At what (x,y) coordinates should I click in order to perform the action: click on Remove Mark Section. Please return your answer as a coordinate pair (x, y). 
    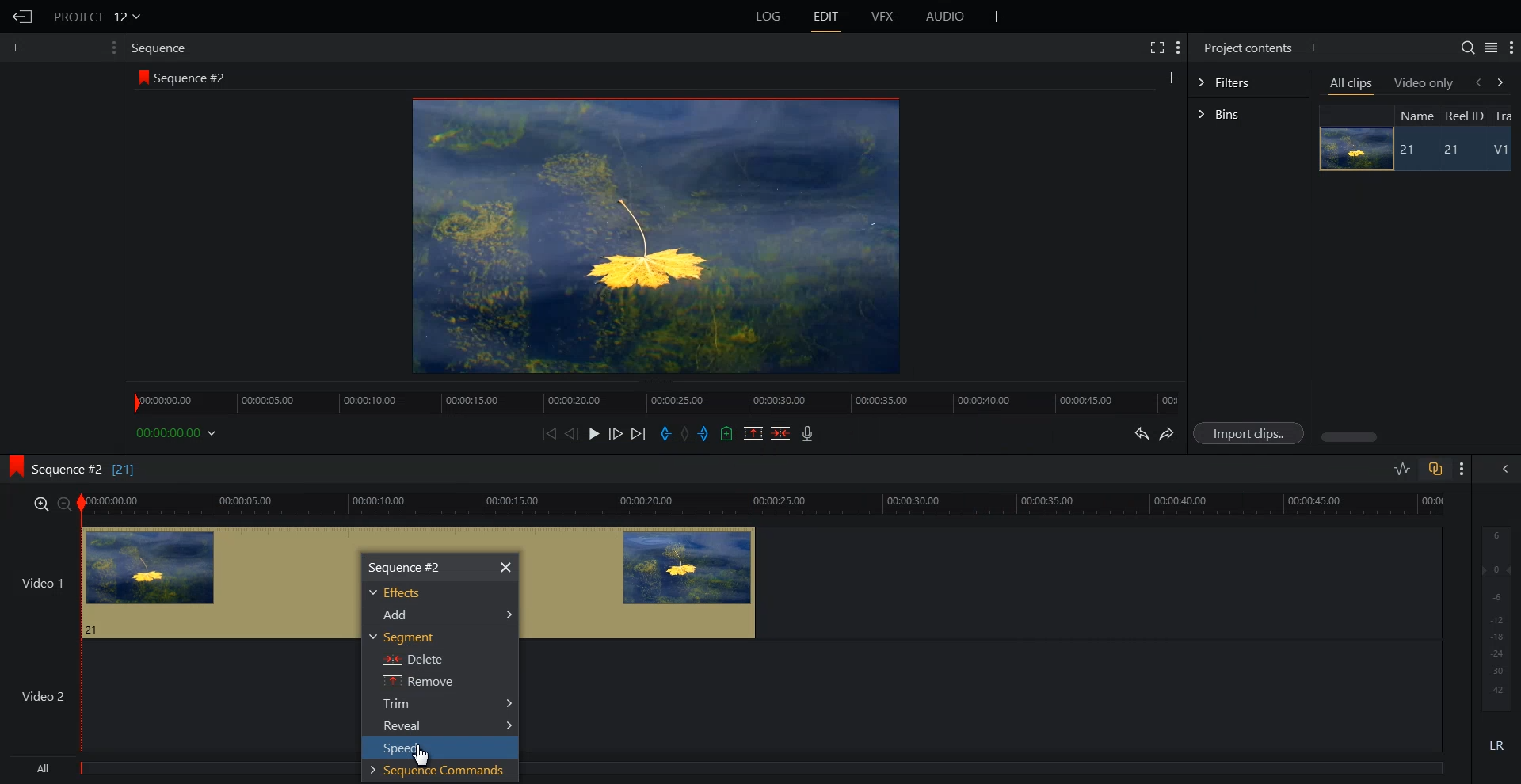
    Looking at the image, I should click on (753, 433).